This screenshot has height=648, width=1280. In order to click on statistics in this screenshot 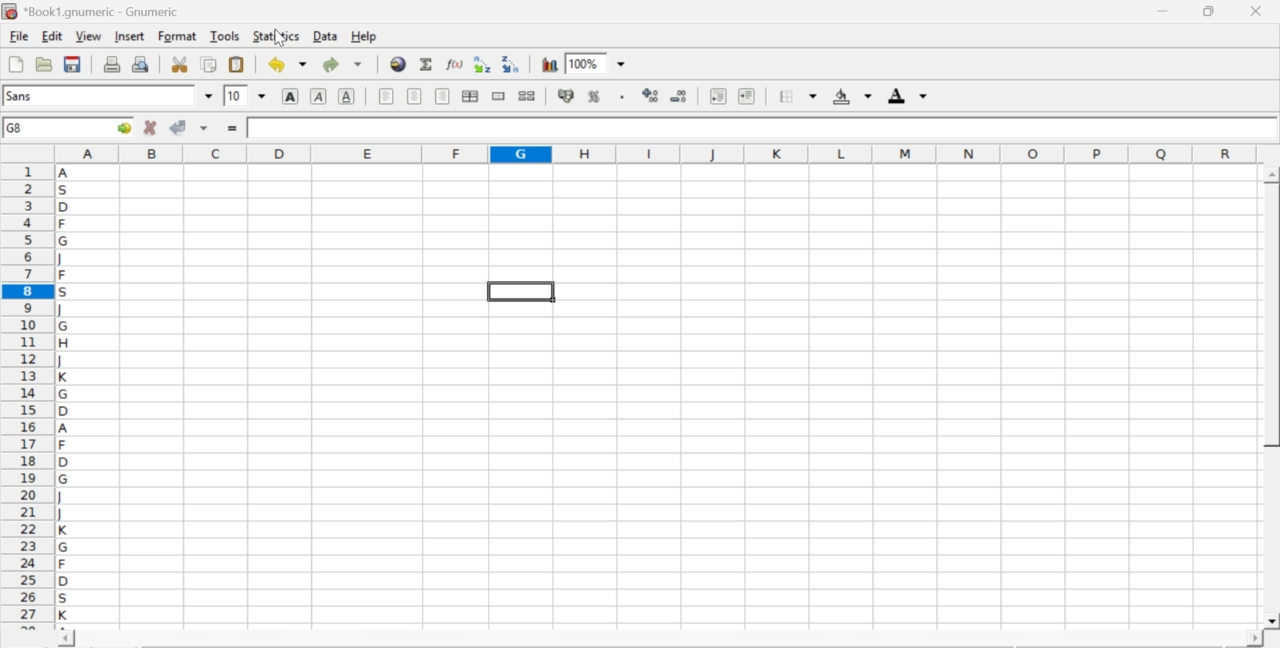, I will do `click(274, 36)`.